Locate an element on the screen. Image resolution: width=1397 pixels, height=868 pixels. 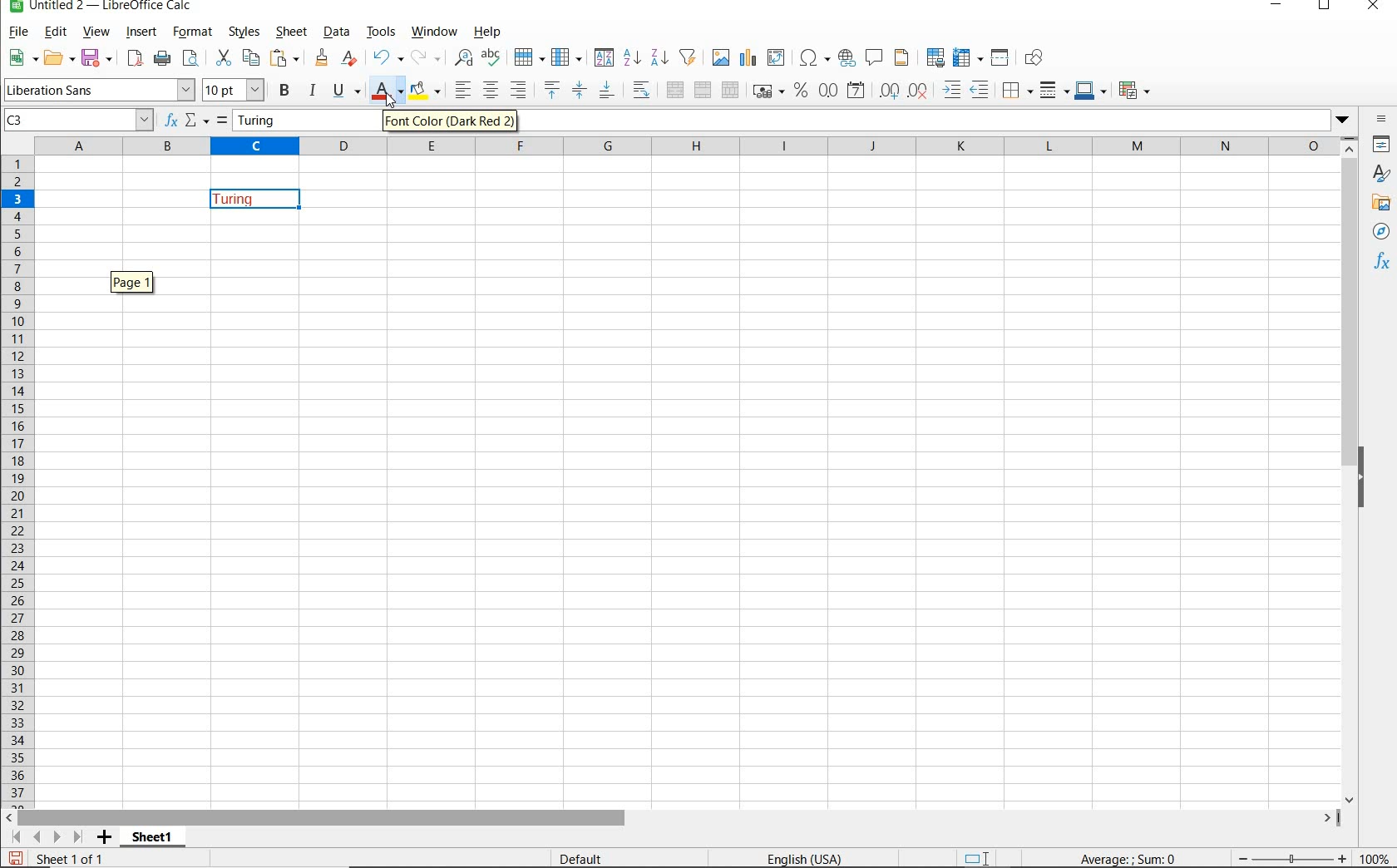
Turing(font color changed) is located at coordinates (255, 201).